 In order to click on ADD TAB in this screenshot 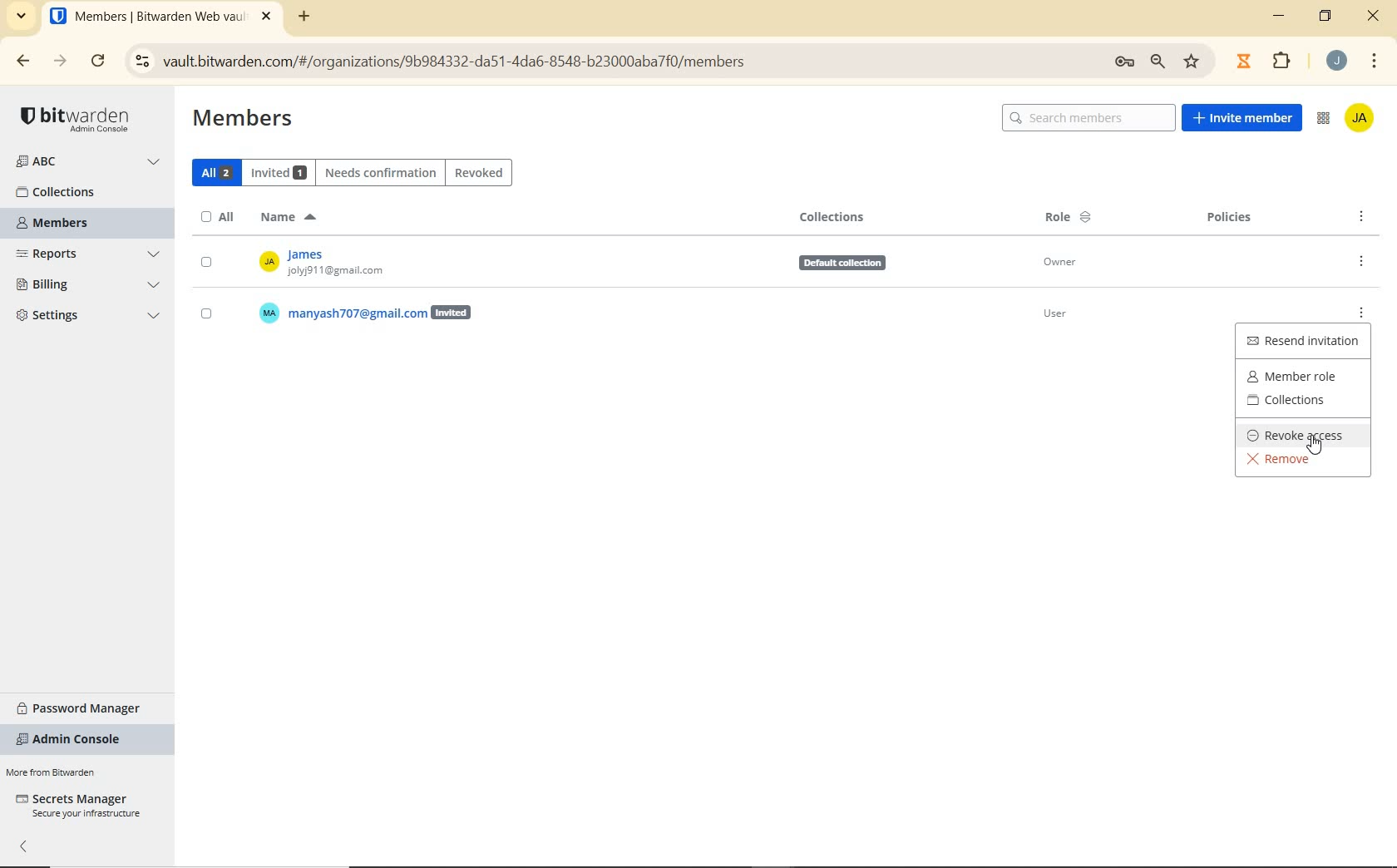, I will do `click(301, 18)`.